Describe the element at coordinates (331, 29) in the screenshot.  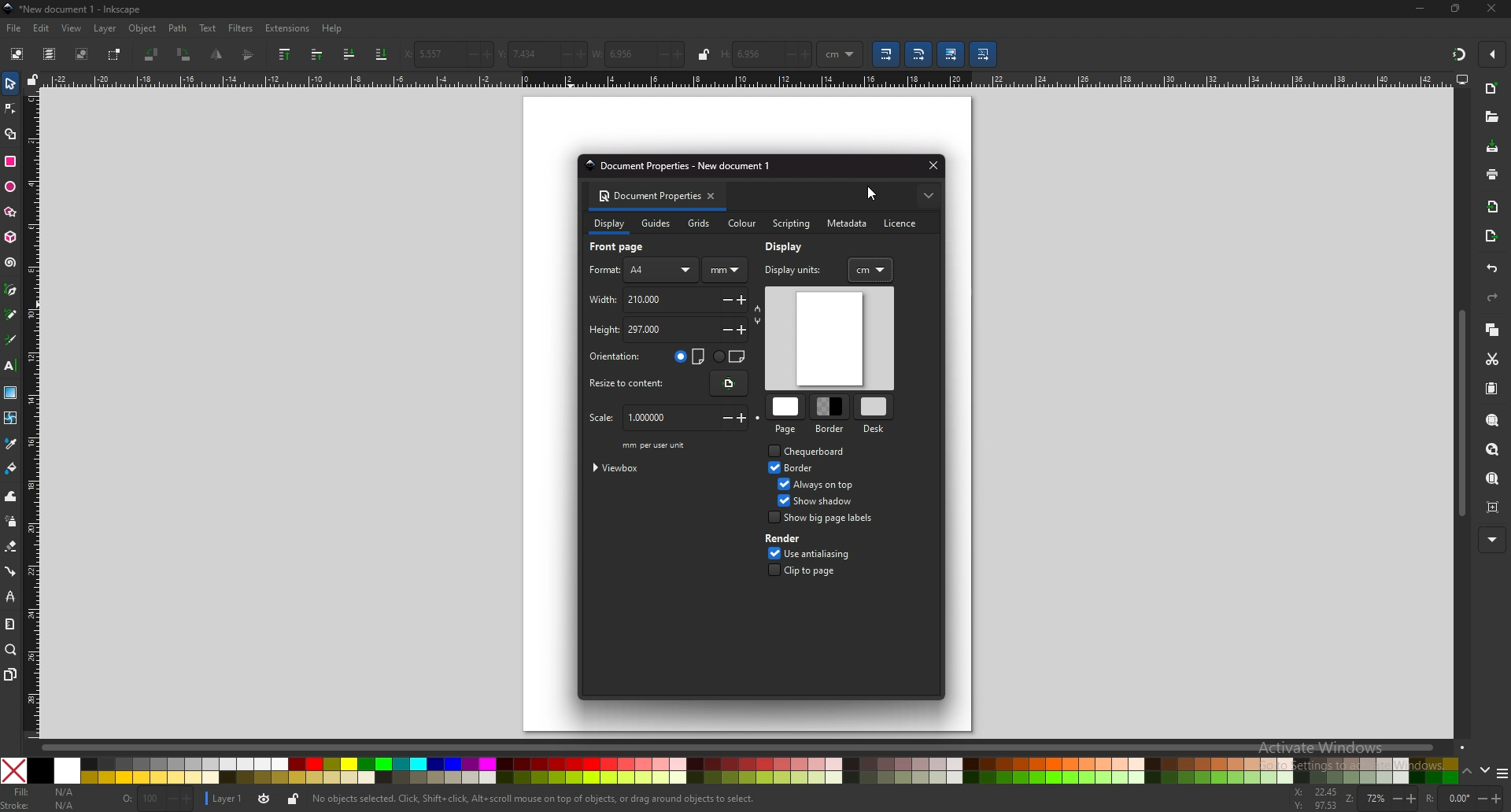
I see `help` at that location.